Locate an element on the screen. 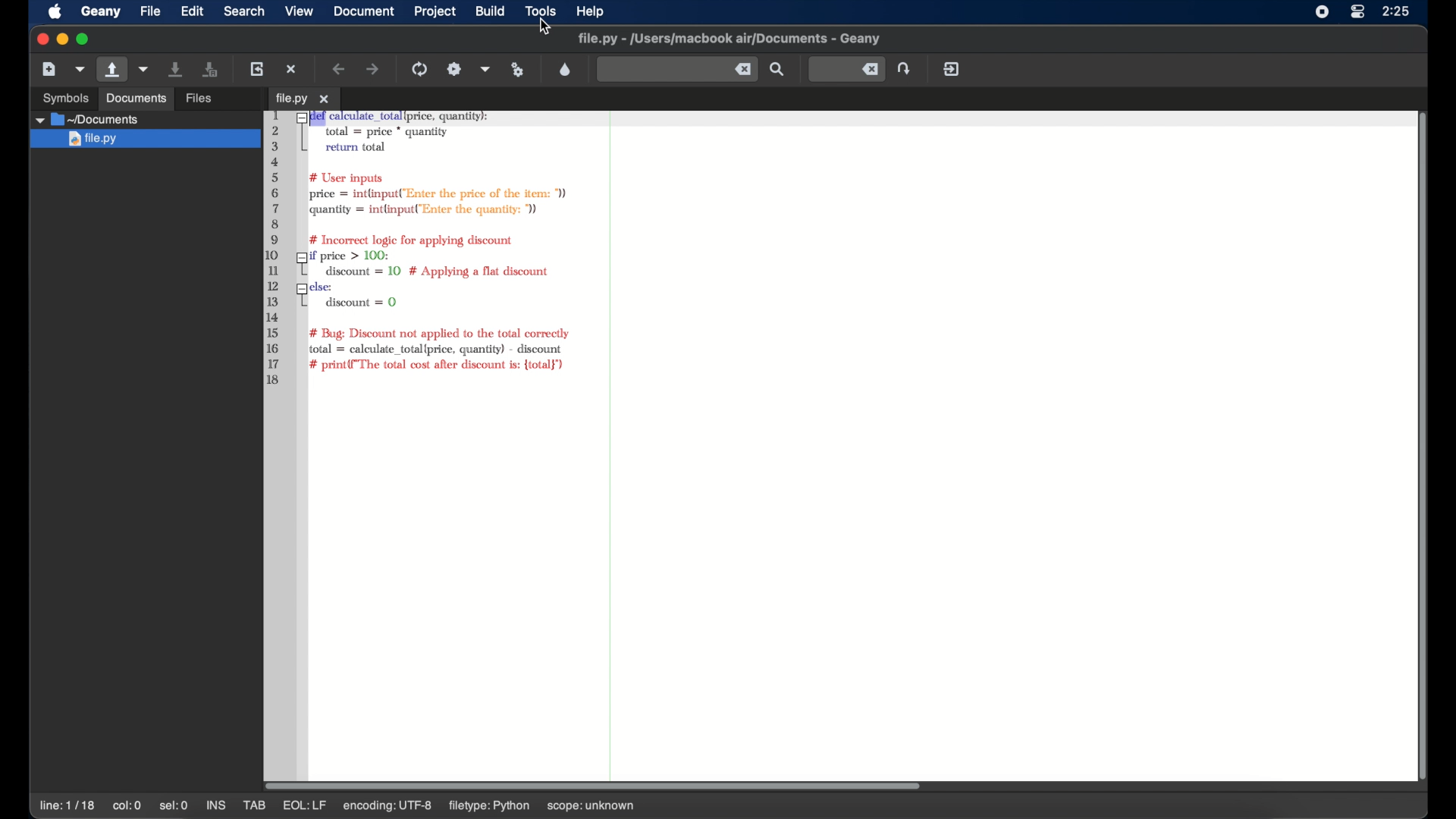 This screenshot has height=819, width=1456. document is located at coordinates (362, 11).